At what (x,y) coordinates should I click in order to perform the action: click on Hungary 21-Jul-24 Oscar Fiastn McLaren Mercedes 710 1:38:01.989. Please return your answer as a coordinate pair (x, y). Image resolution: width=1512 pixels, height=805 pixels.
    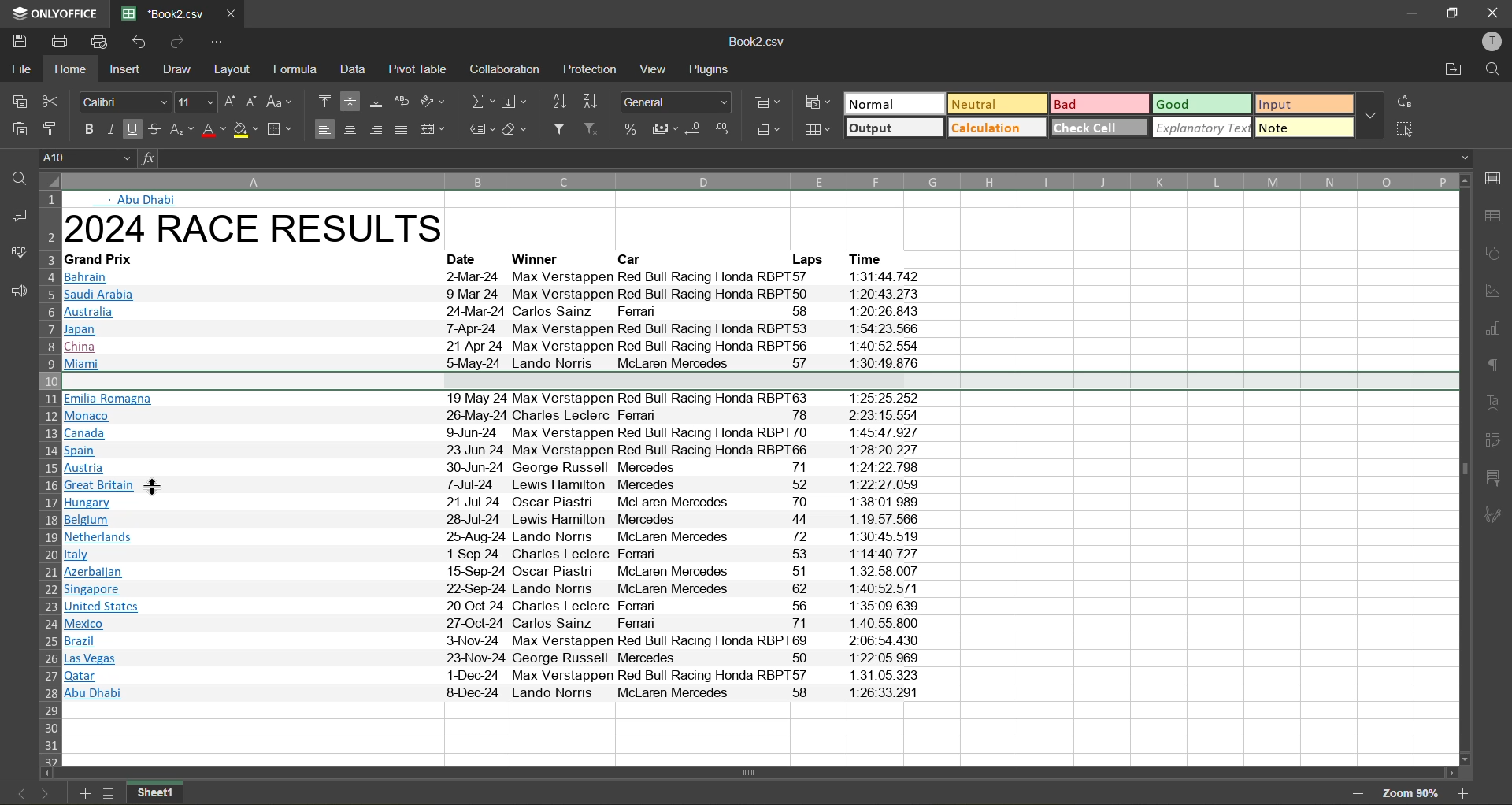
    Looking at the image, I should click on (492, 503).